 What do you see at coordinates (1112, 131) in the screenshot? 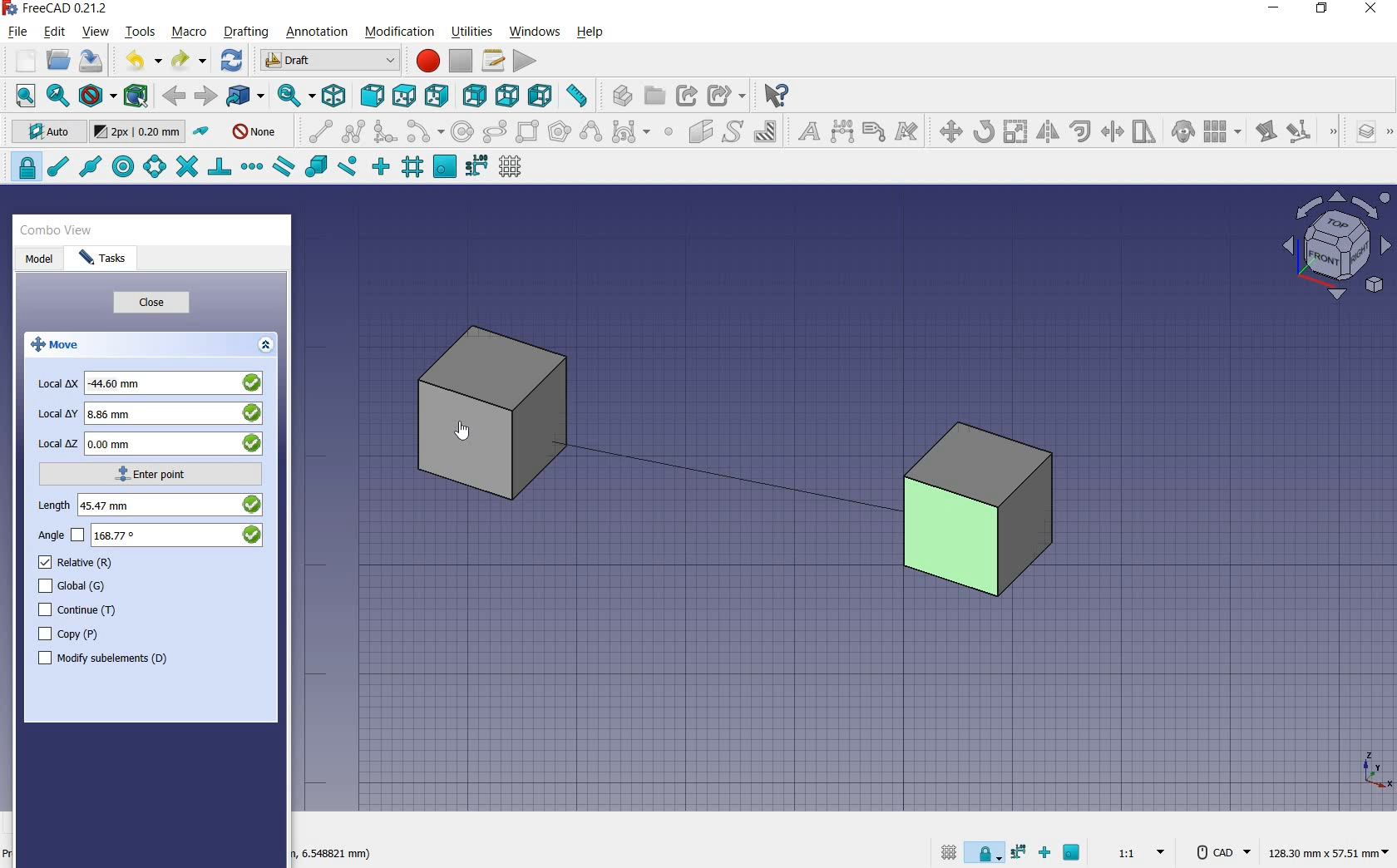
I see `trimex` at bounding box center [1112, 131].